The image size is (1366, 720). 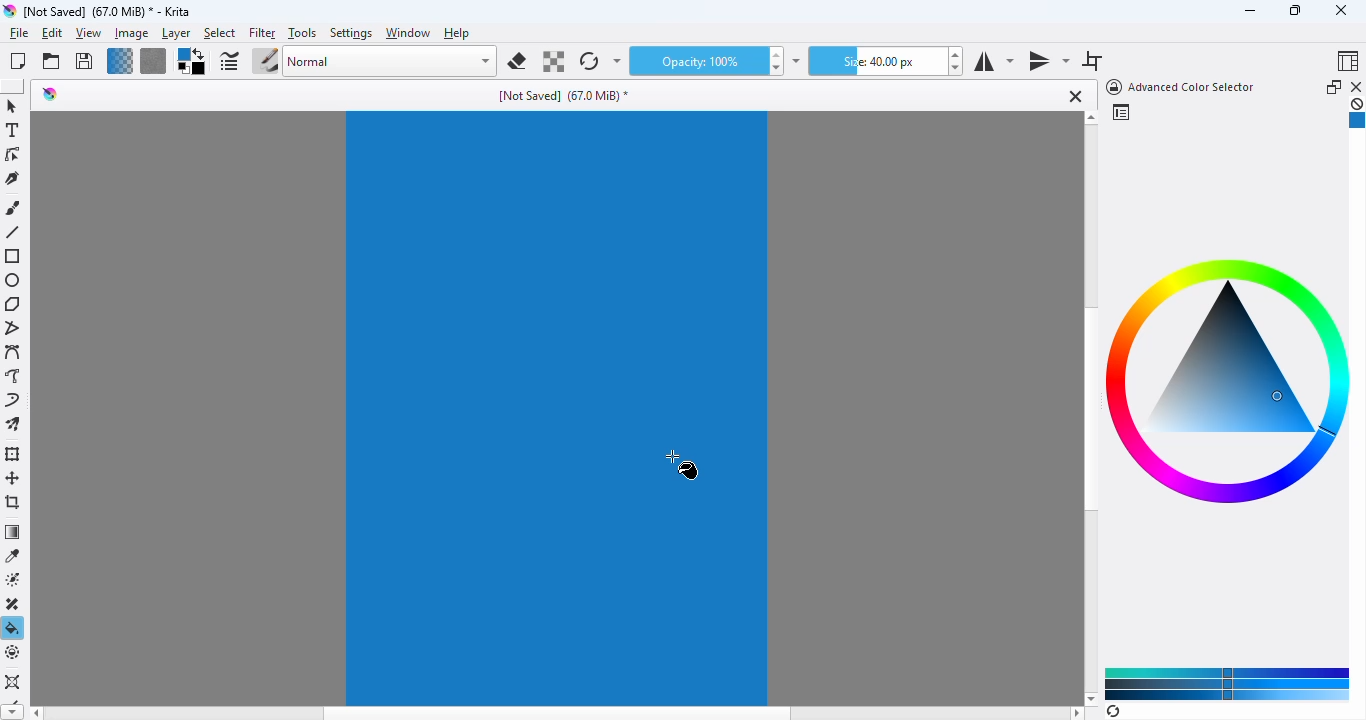 I want to click on select, so click(x=220, y=34).